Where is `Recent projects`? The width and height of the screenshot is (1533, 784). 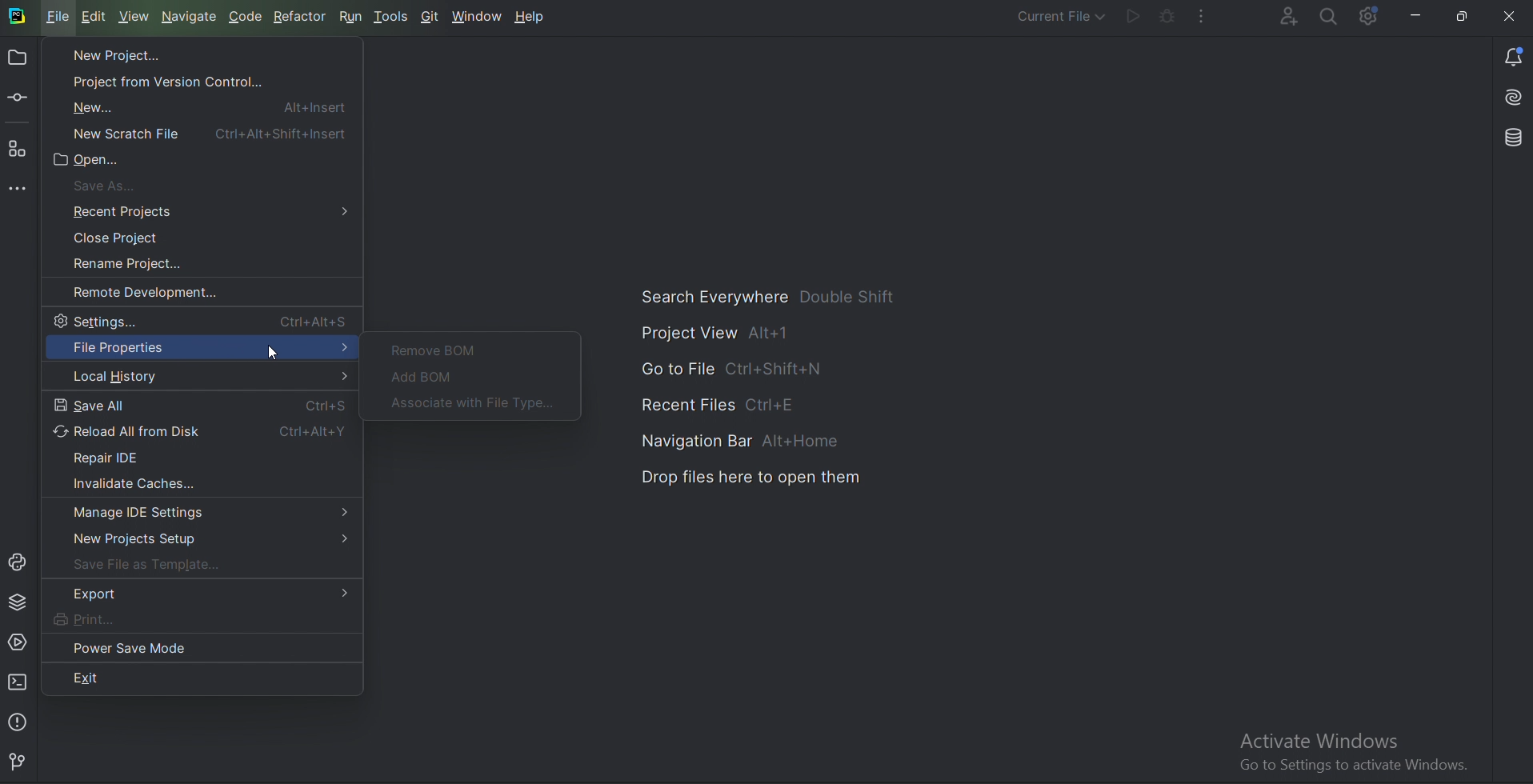
Recent projects is located at coordinates (211, 211).